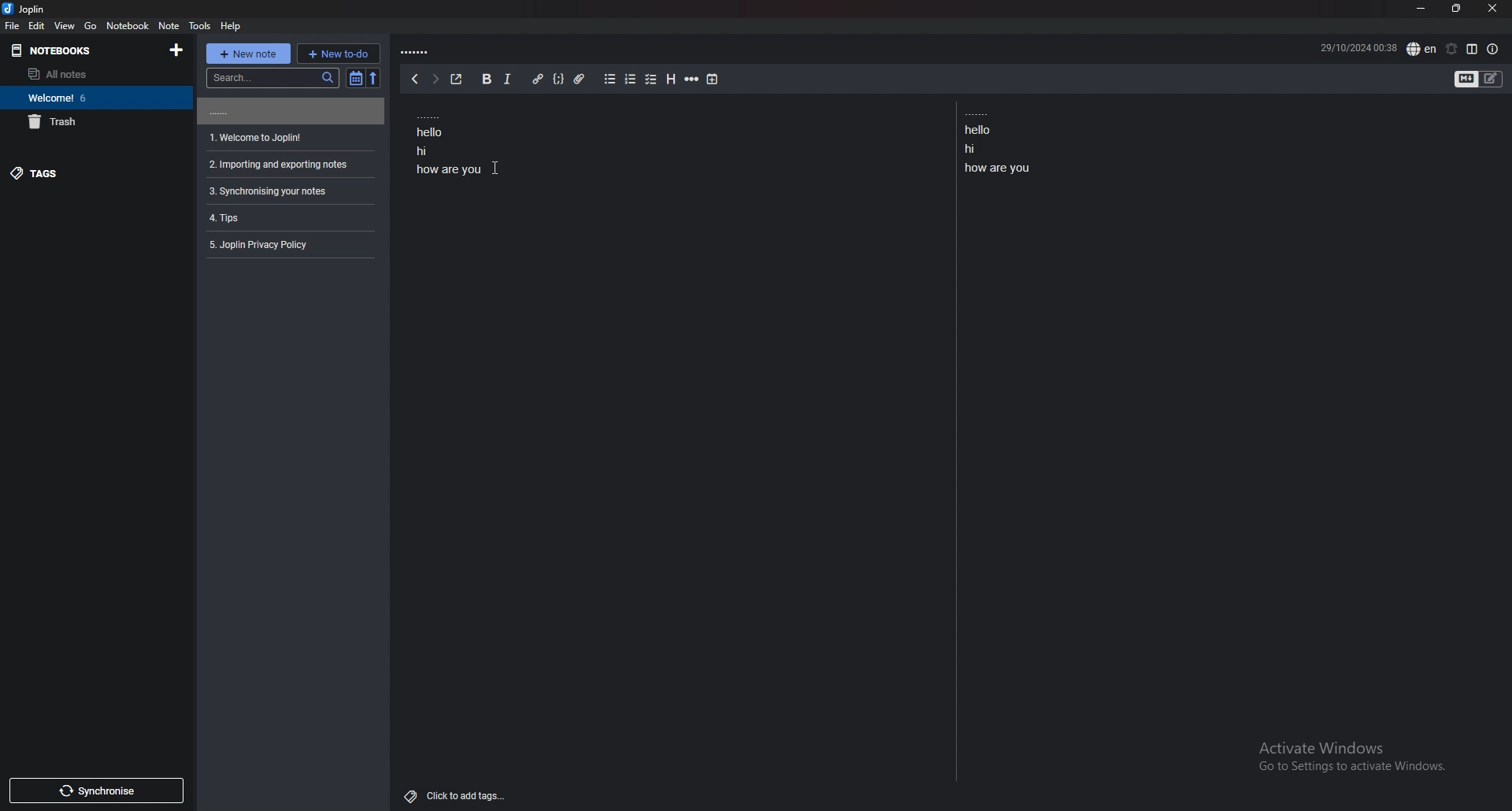  What do you see at coordinates (288, 191) in the screenshot?
I see `note` at bounding box center [288, 191].